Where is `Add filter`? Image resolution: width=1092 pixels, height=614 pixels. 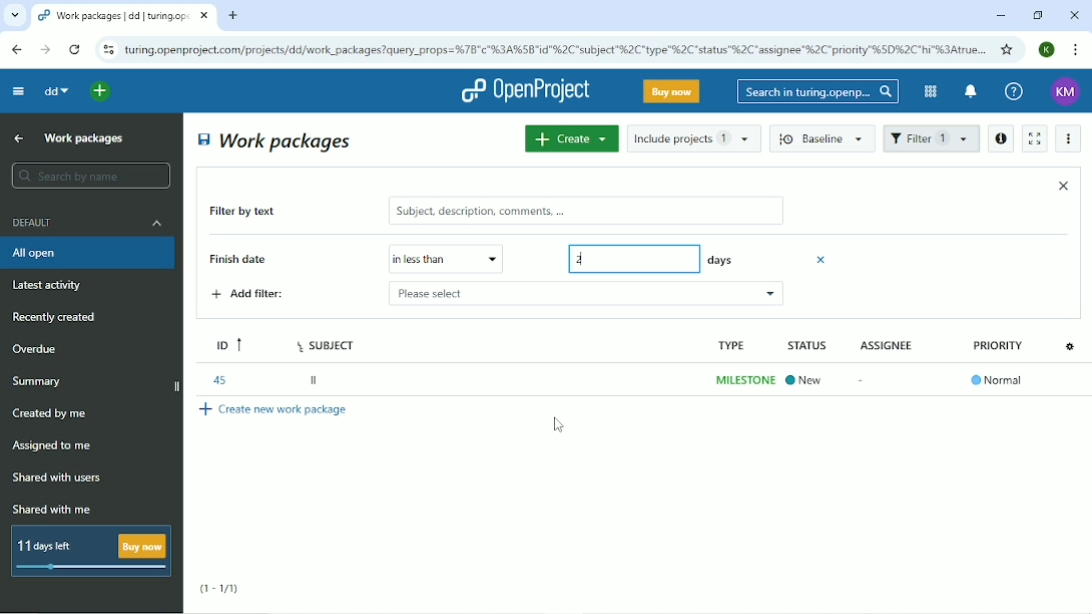 Add filter is located at coordinates (249, 294).